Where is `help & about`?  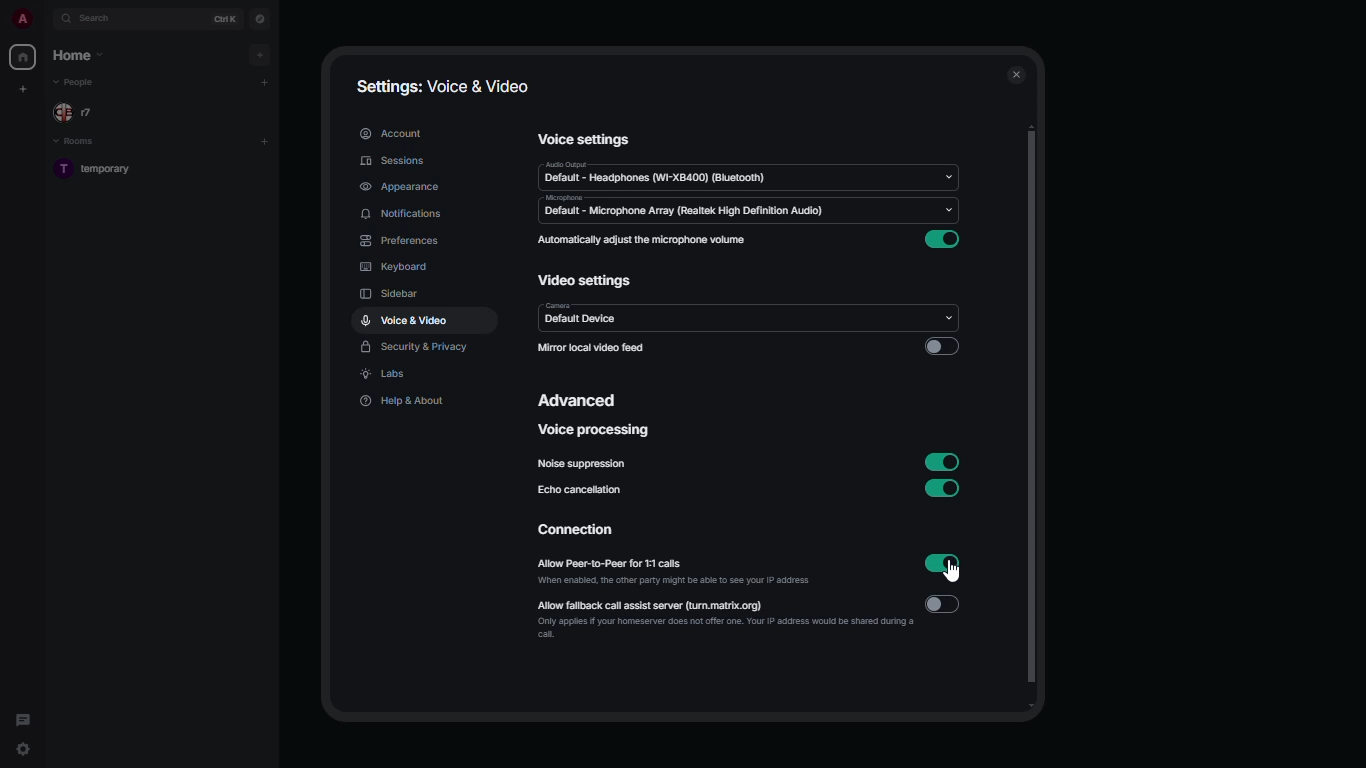
help & about is located at coordinates (401, 400).